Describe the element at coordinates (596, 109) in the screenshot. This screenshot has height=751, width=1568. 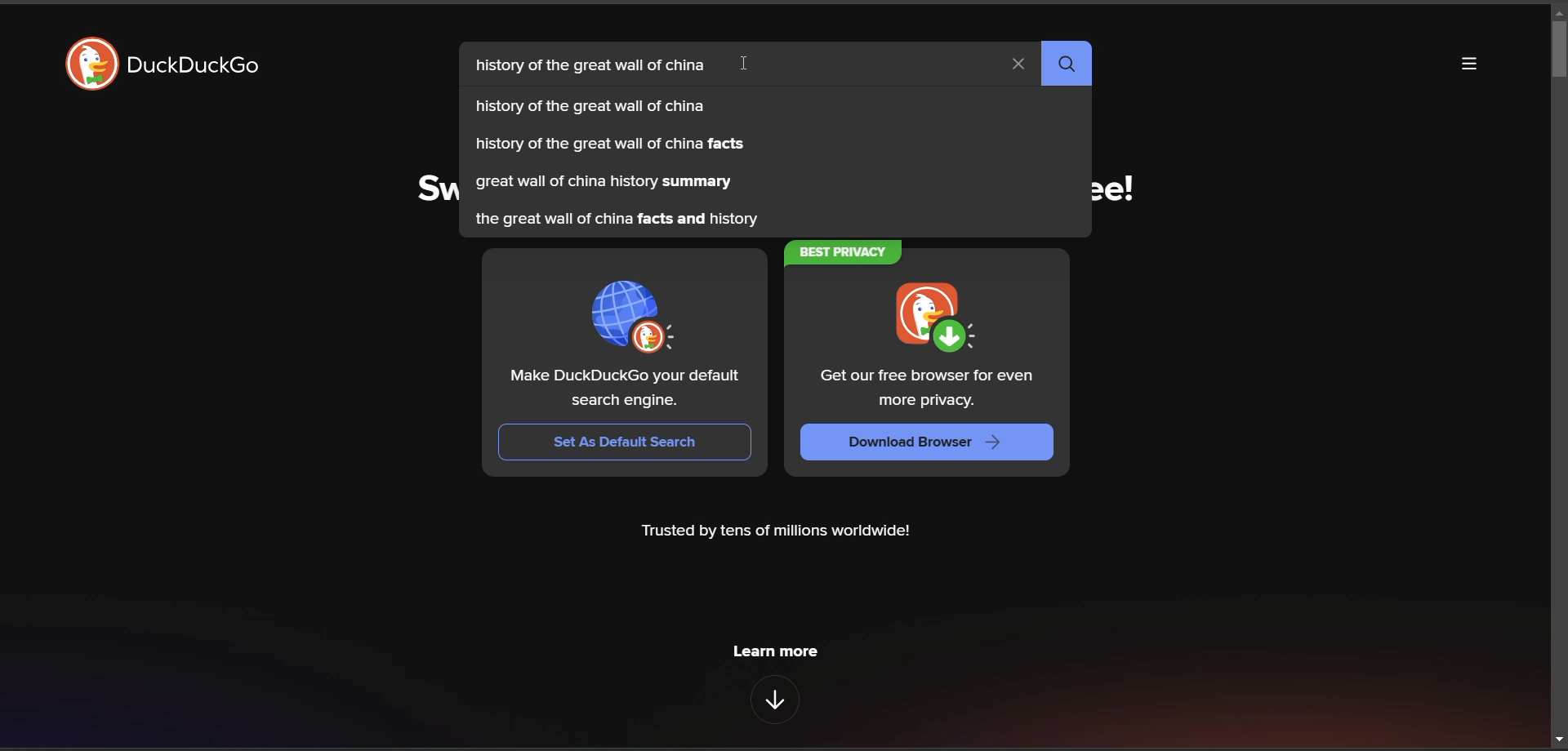
I see `history of the great wall of china` at that location.